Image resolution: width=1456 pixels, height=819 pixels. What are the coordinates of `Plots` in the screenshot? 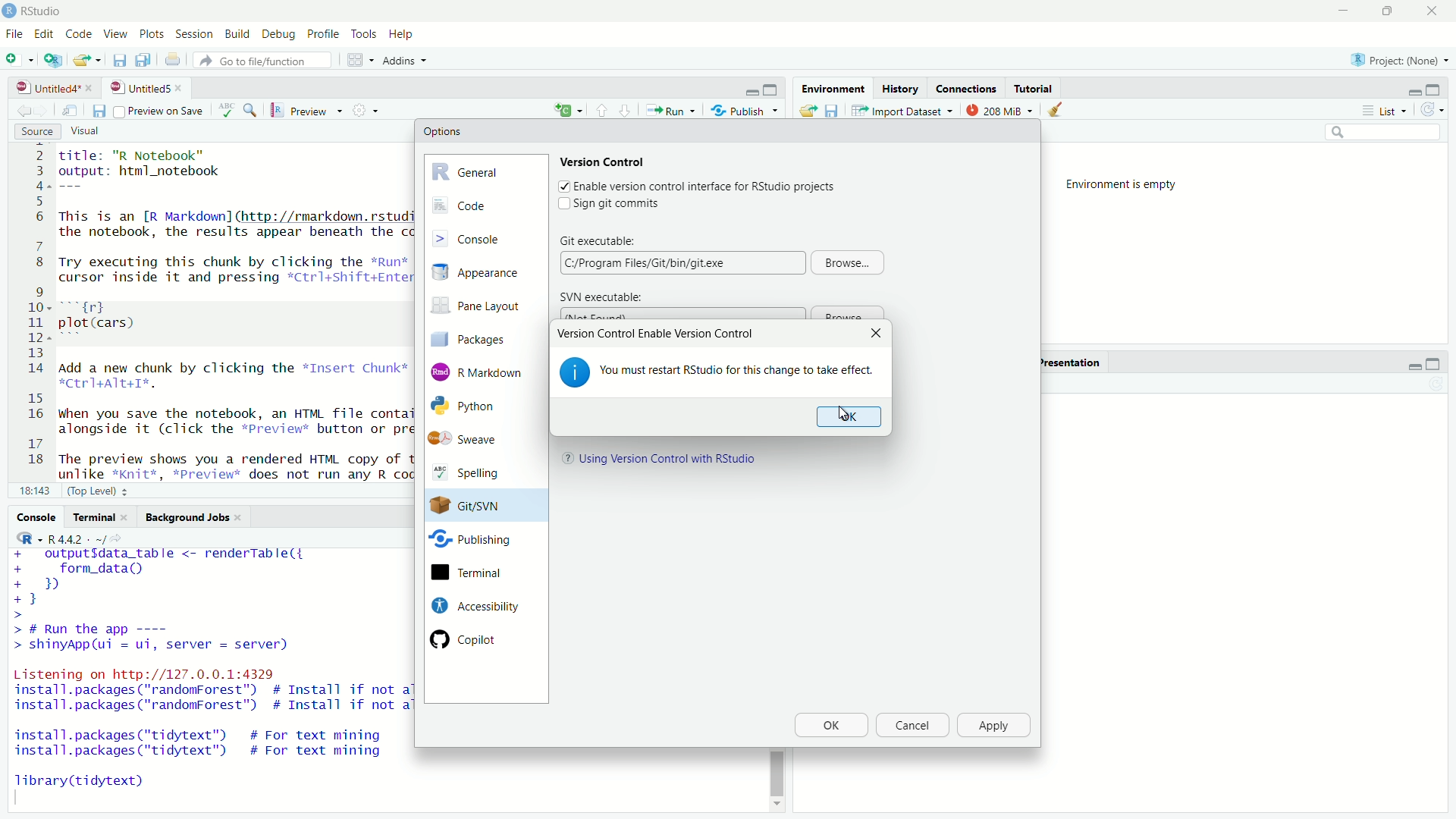 It's located at (152, 35).